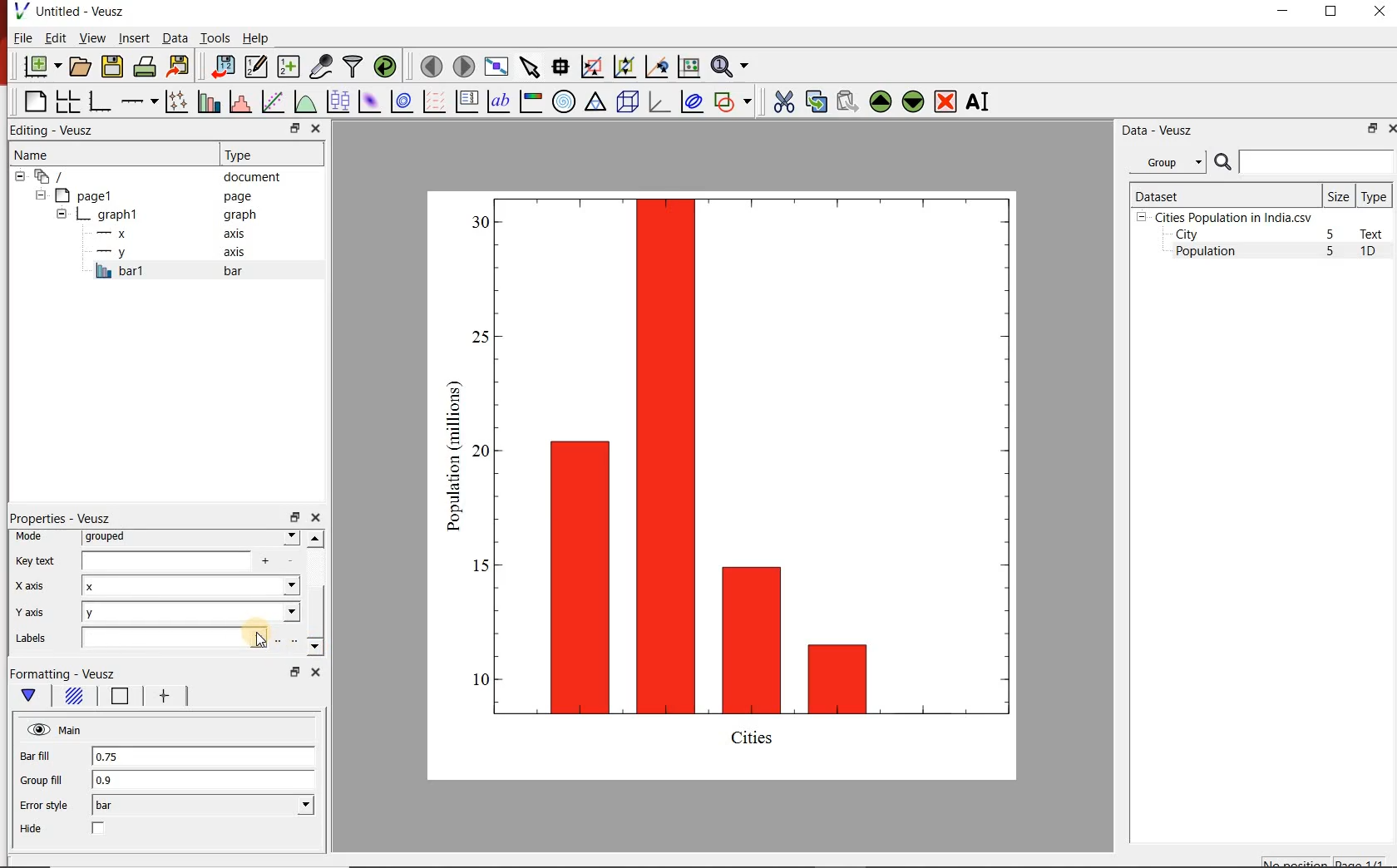  Describe the element at coordinates (466, 101) in the screenshot. I see `plot key` at that location.